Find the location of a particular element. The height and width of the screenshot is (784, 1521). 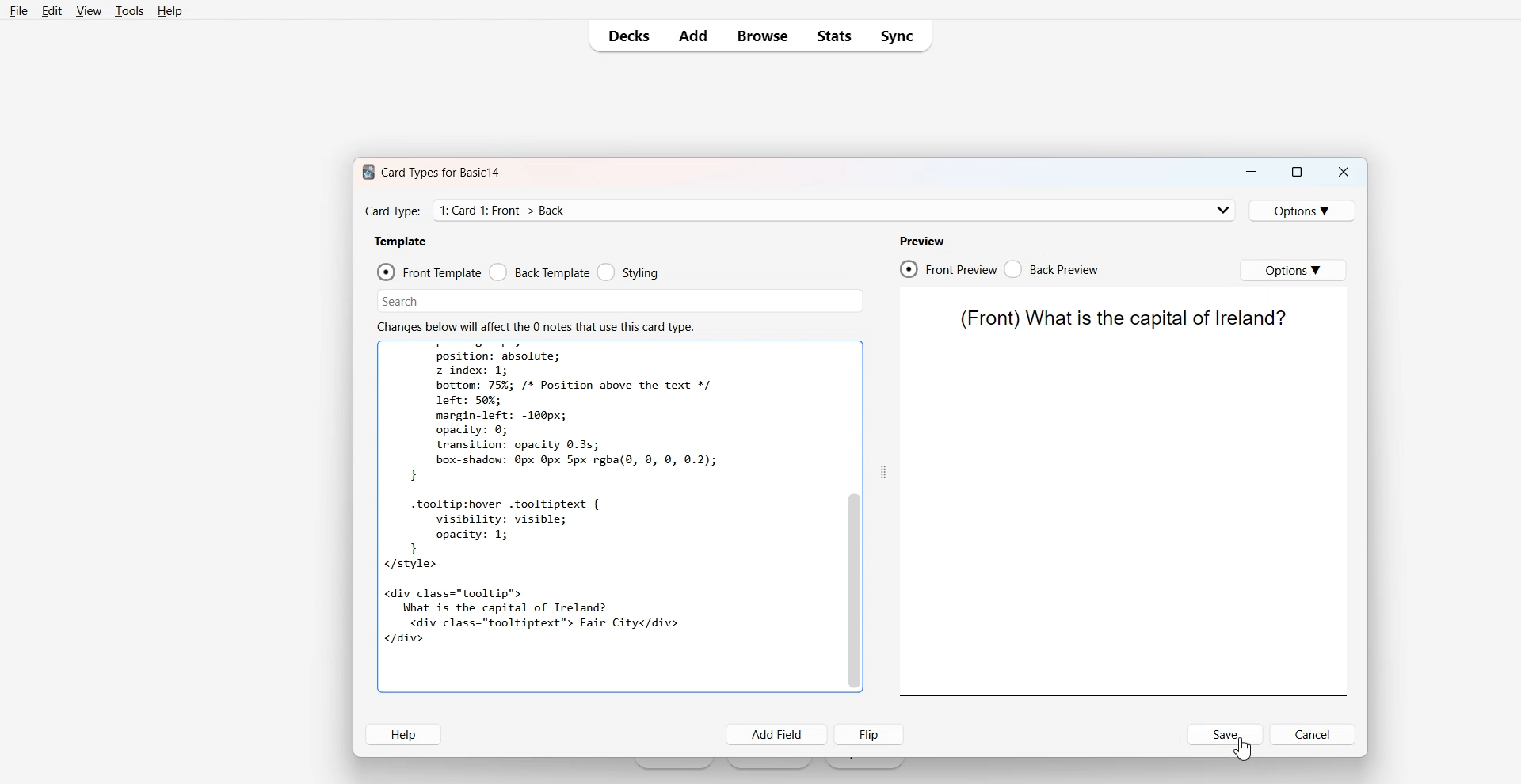

Preview is located at coordinates (921, 241).